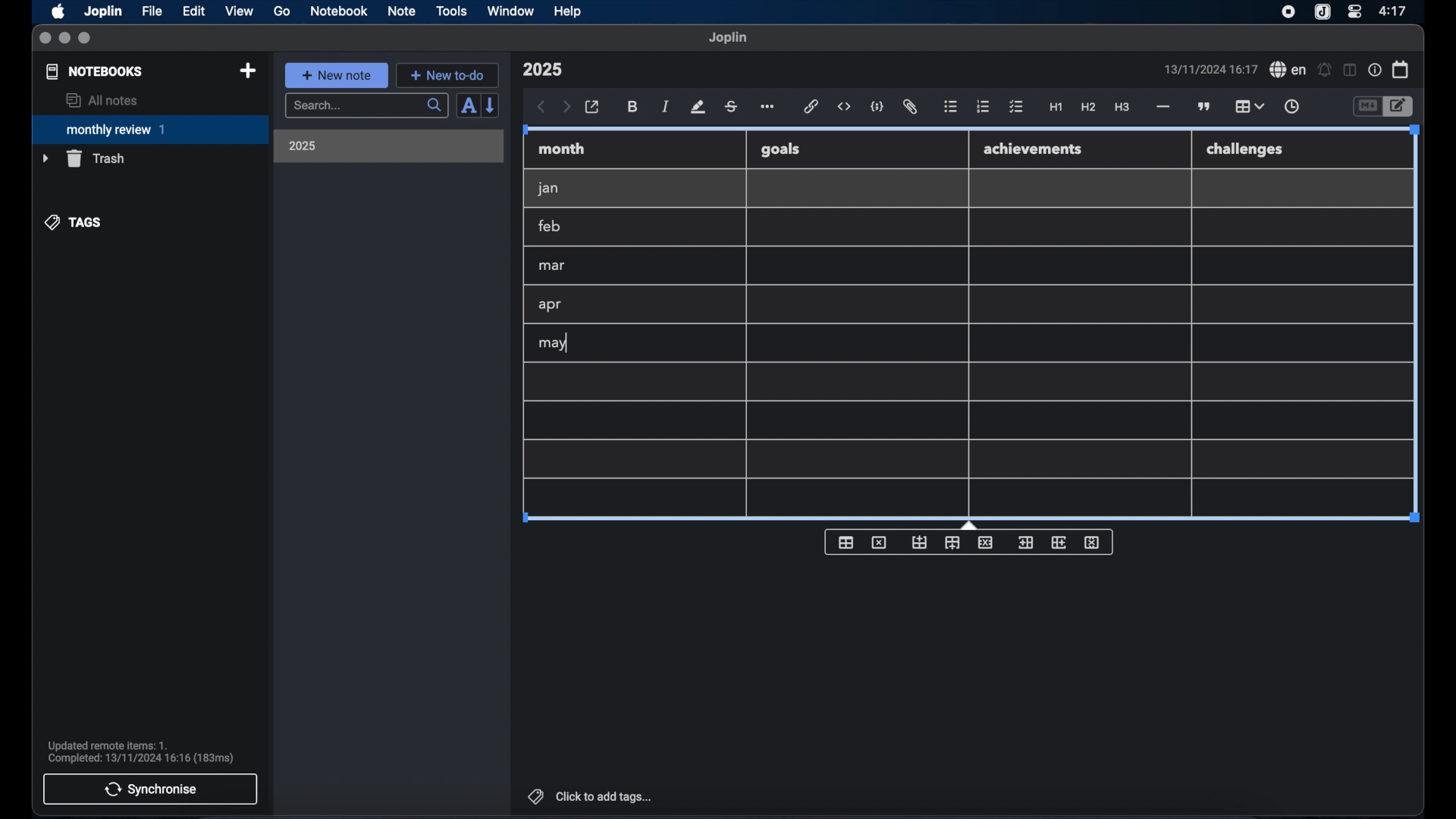  I want to click on note, so click(402, 11).